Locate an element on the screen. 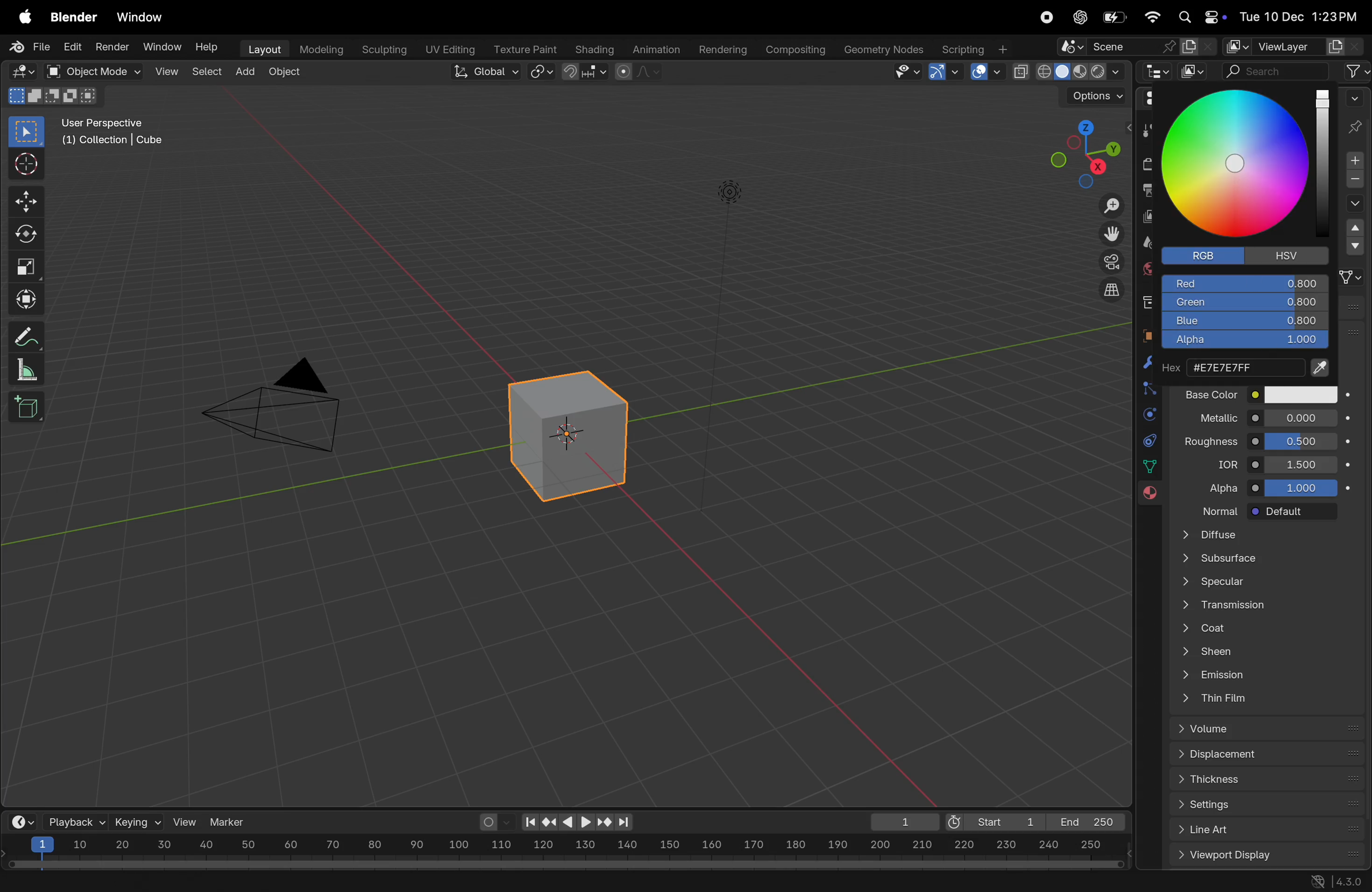 This screenshot has width=1372, height=892. apple widgets is located at coordinates (1199, 17).